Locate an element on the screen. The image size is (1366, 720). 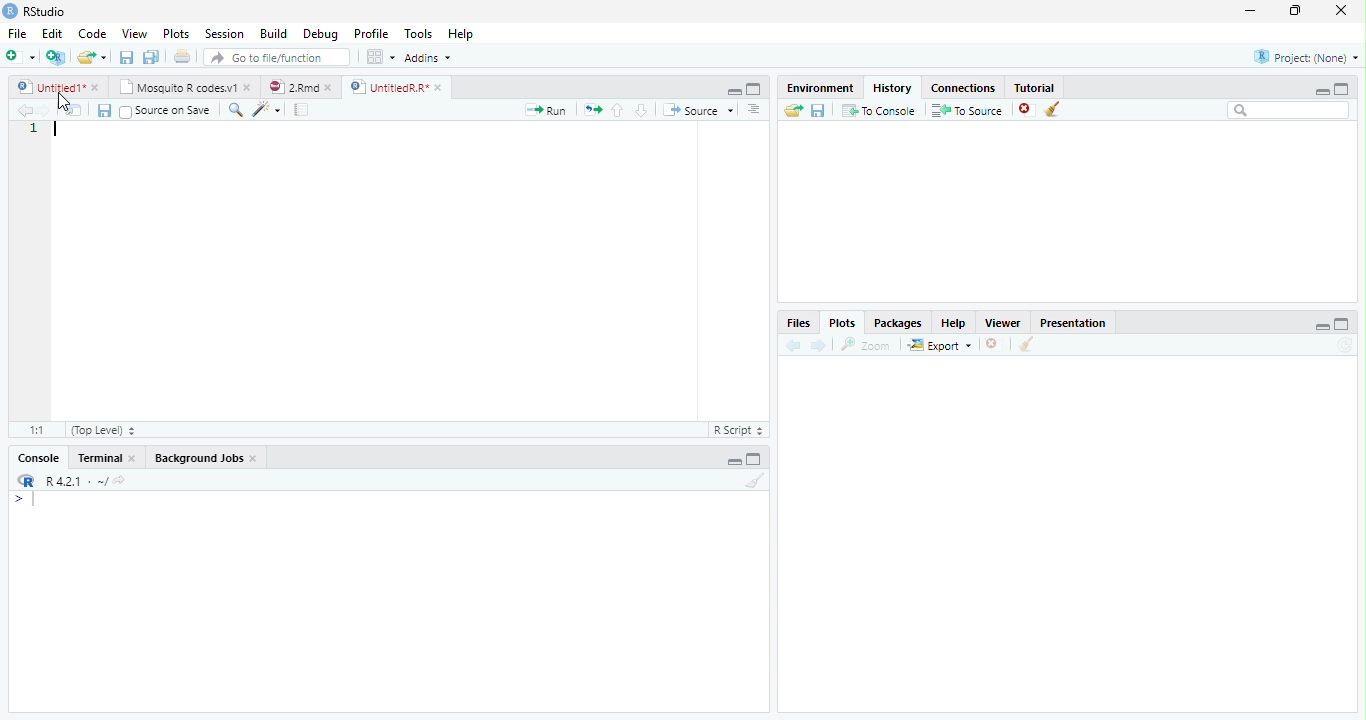
close is located at coordinates (1341, 10).